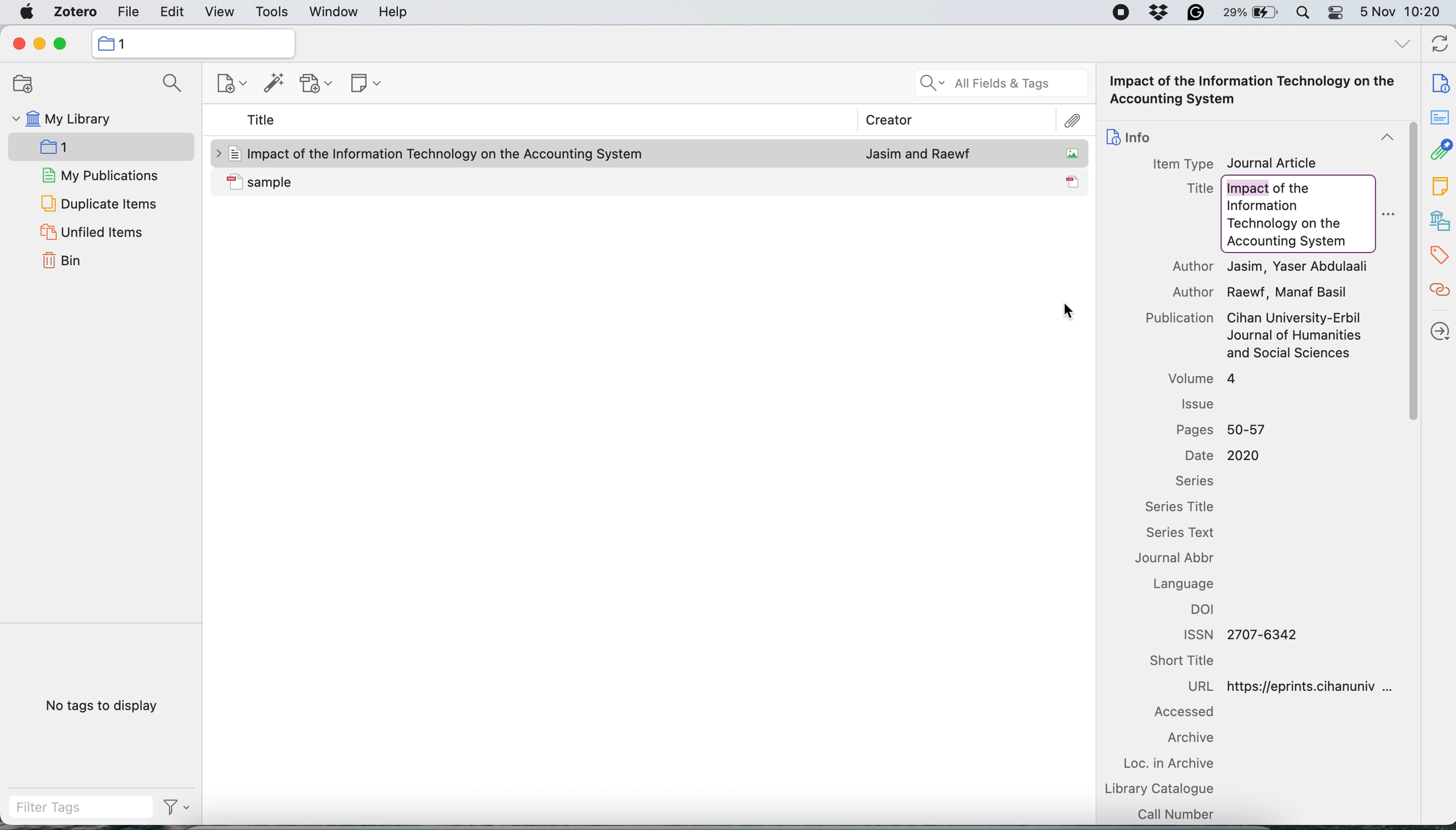  I want to click on add items by identifier, so click(273, 84).